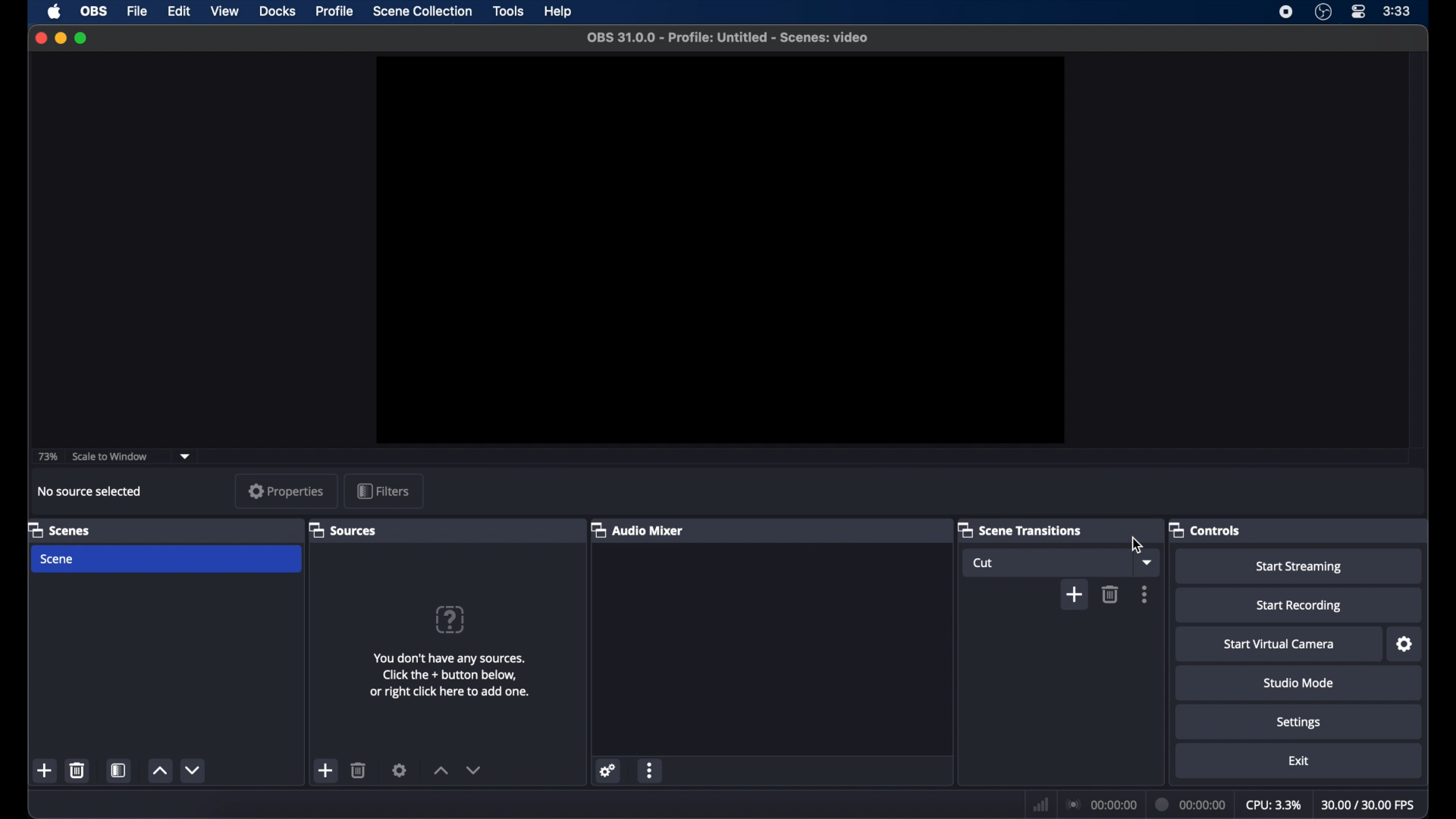 Image resolution: width=1456 pixels, height=819 pixels. Describe the element at coordinates (109, 457) in the screenshot. I see `scale to window` at that location.